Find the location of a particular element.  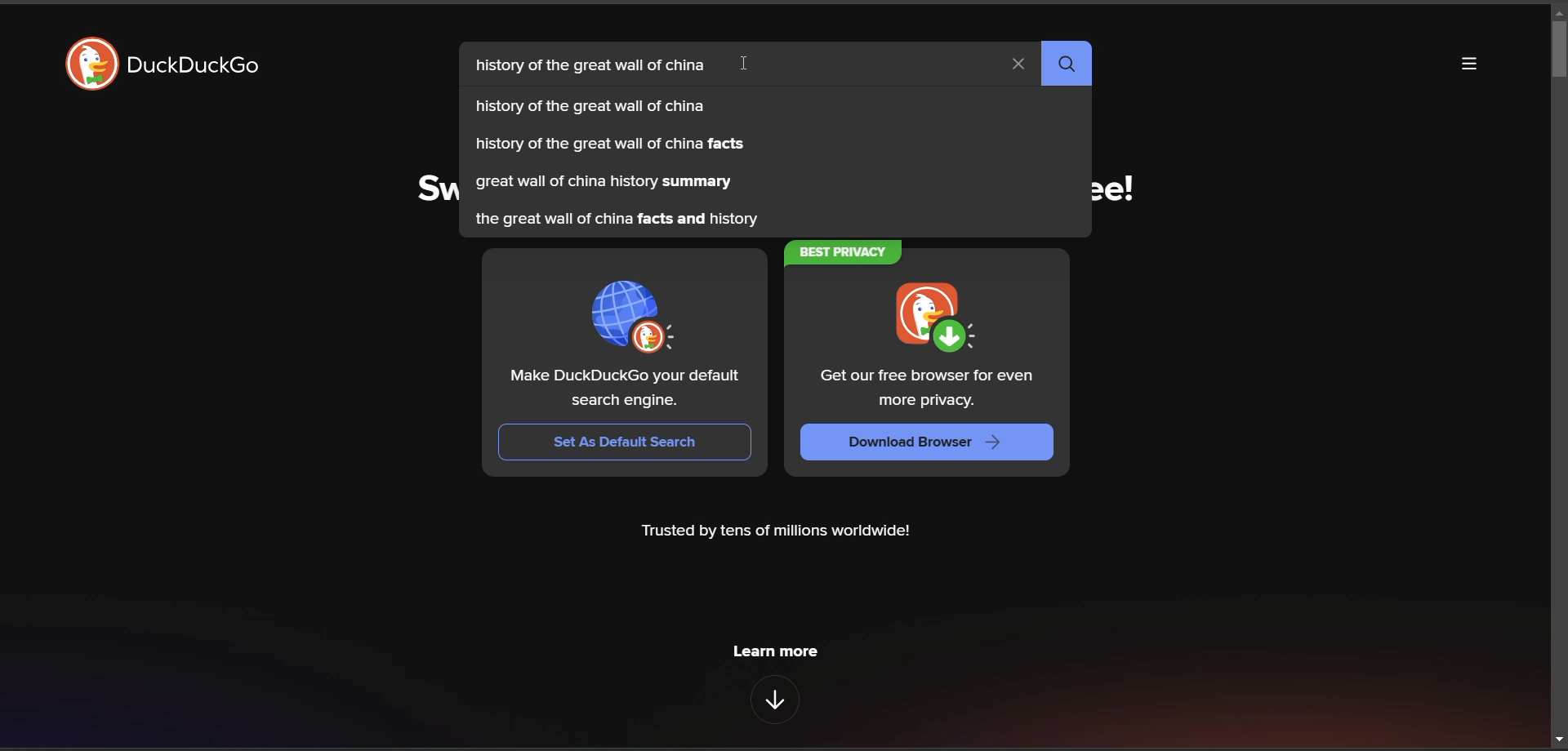

search term is located at coordinates (596, 68).